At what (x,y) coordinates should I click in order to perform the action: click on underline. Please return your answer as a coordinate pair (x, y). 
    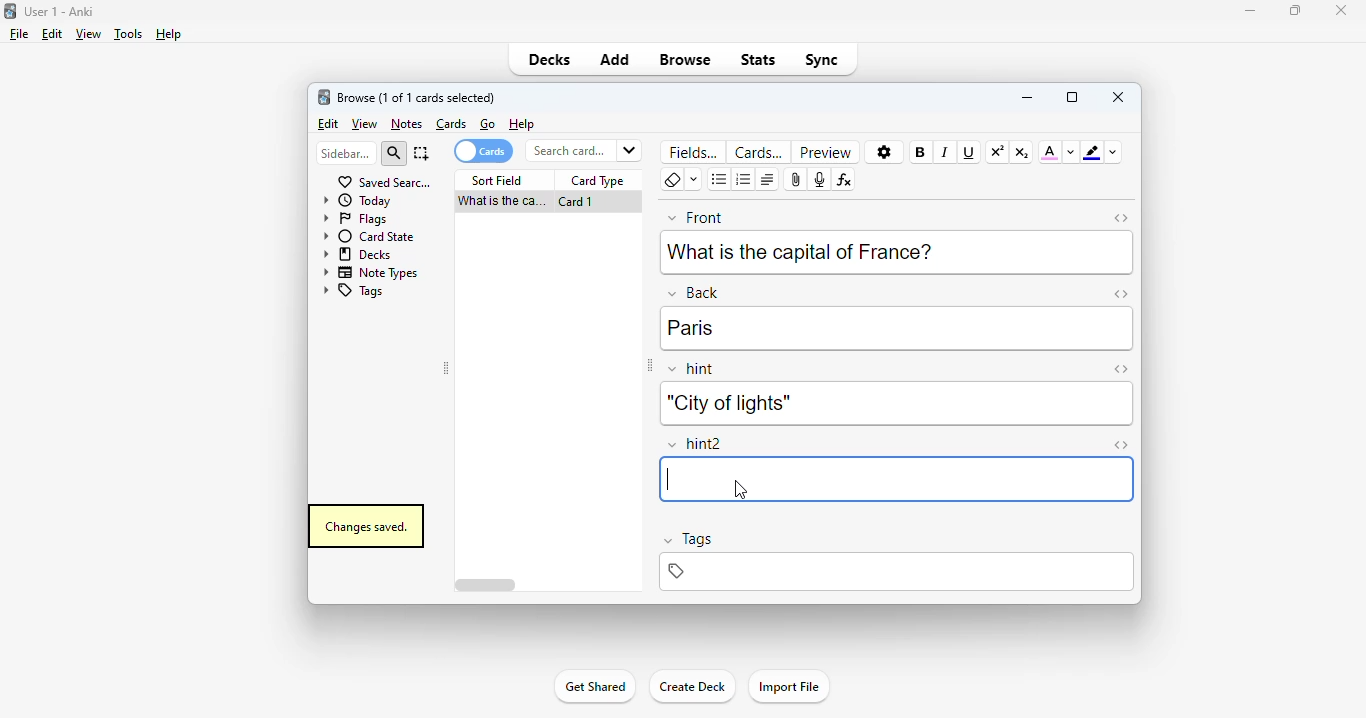
    Looking at the image, I should click on (967, 152).